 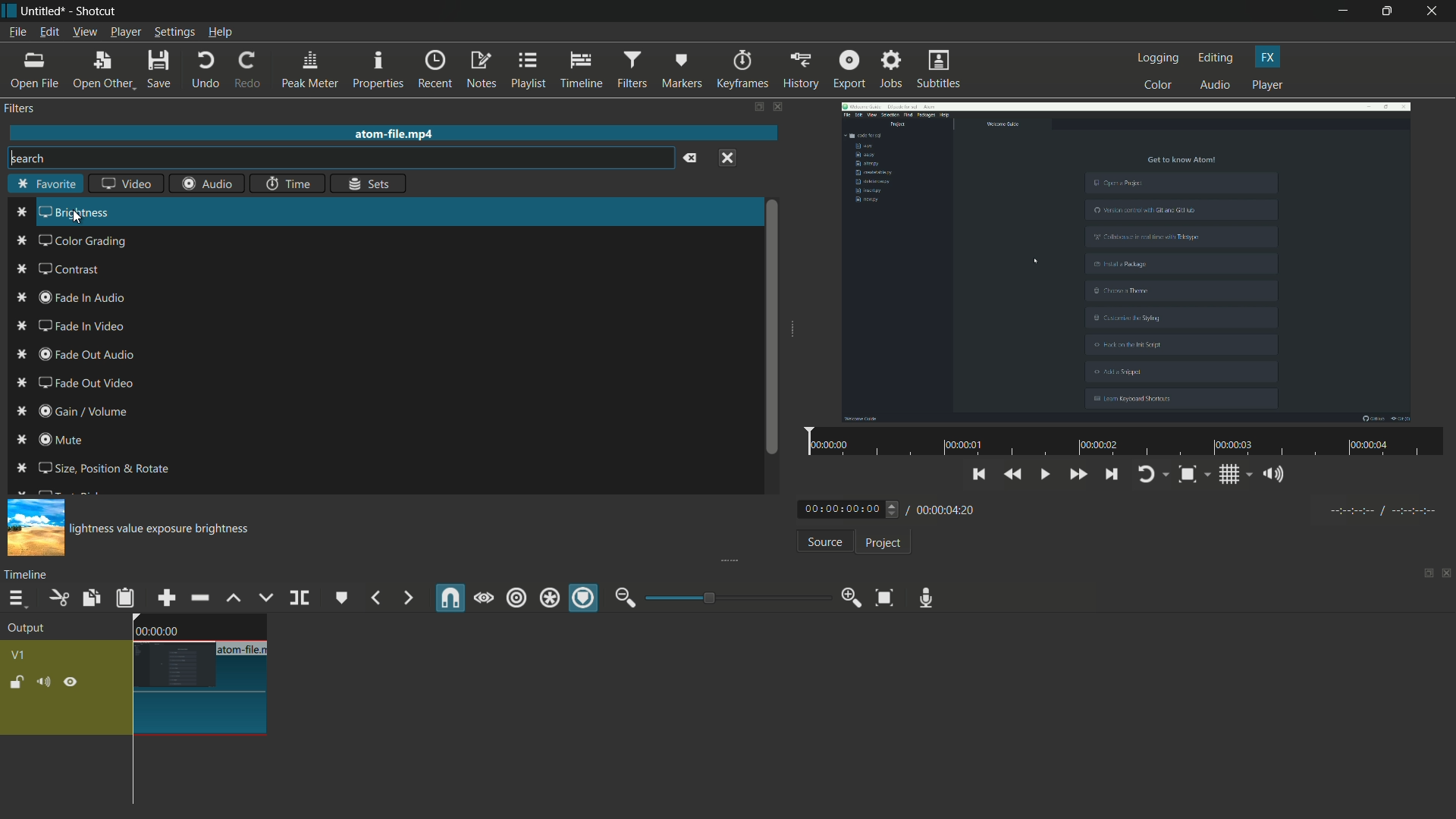 I want to click on close app, so click(x=1434, y=11).